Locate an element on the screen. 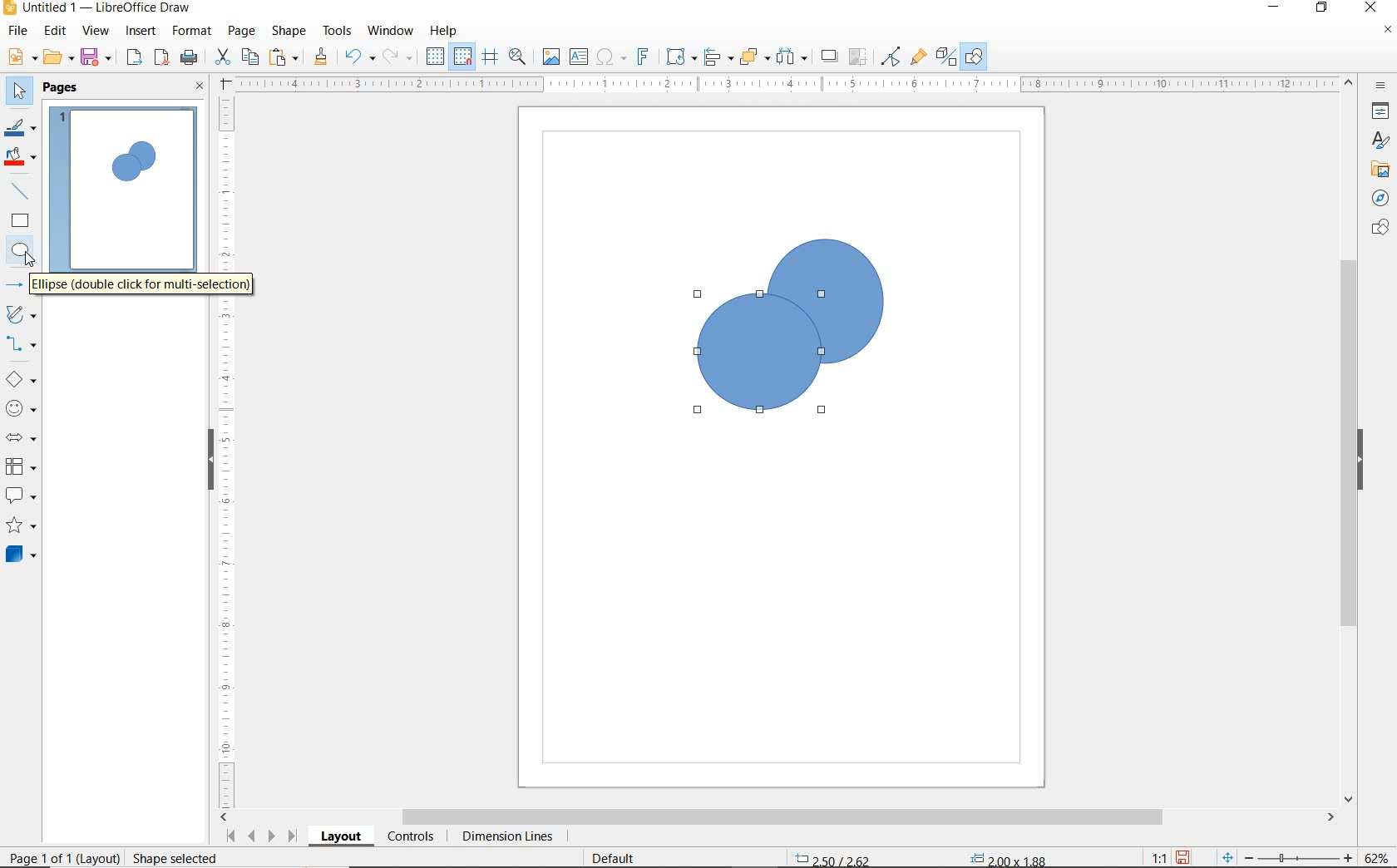 Image resolution: width=1397 pixels, height=868 pixels. PAGE is located at coordinates (241, 31).